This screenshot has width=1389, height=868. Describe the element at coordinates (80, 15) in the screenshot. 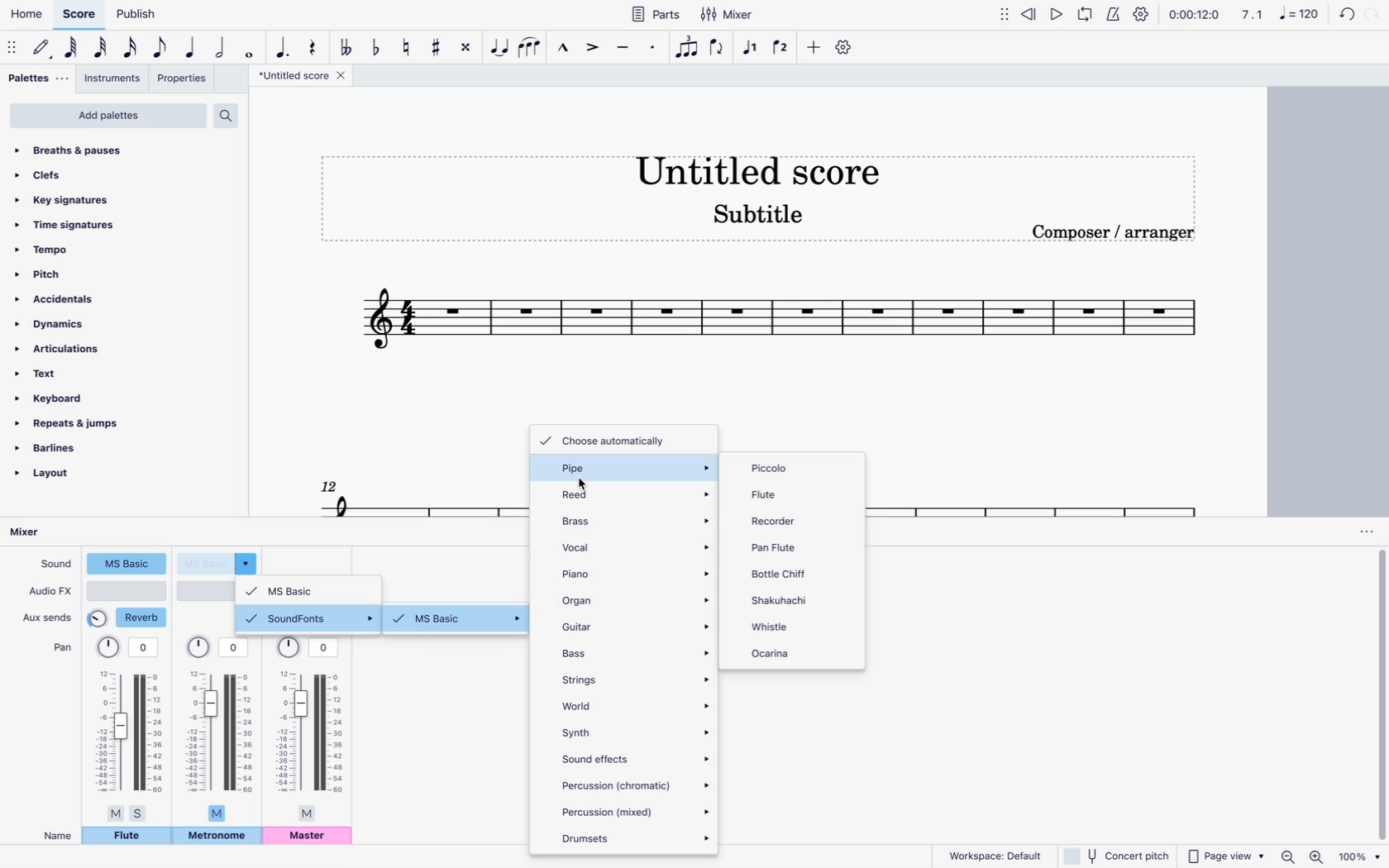

I see `score` at that location.